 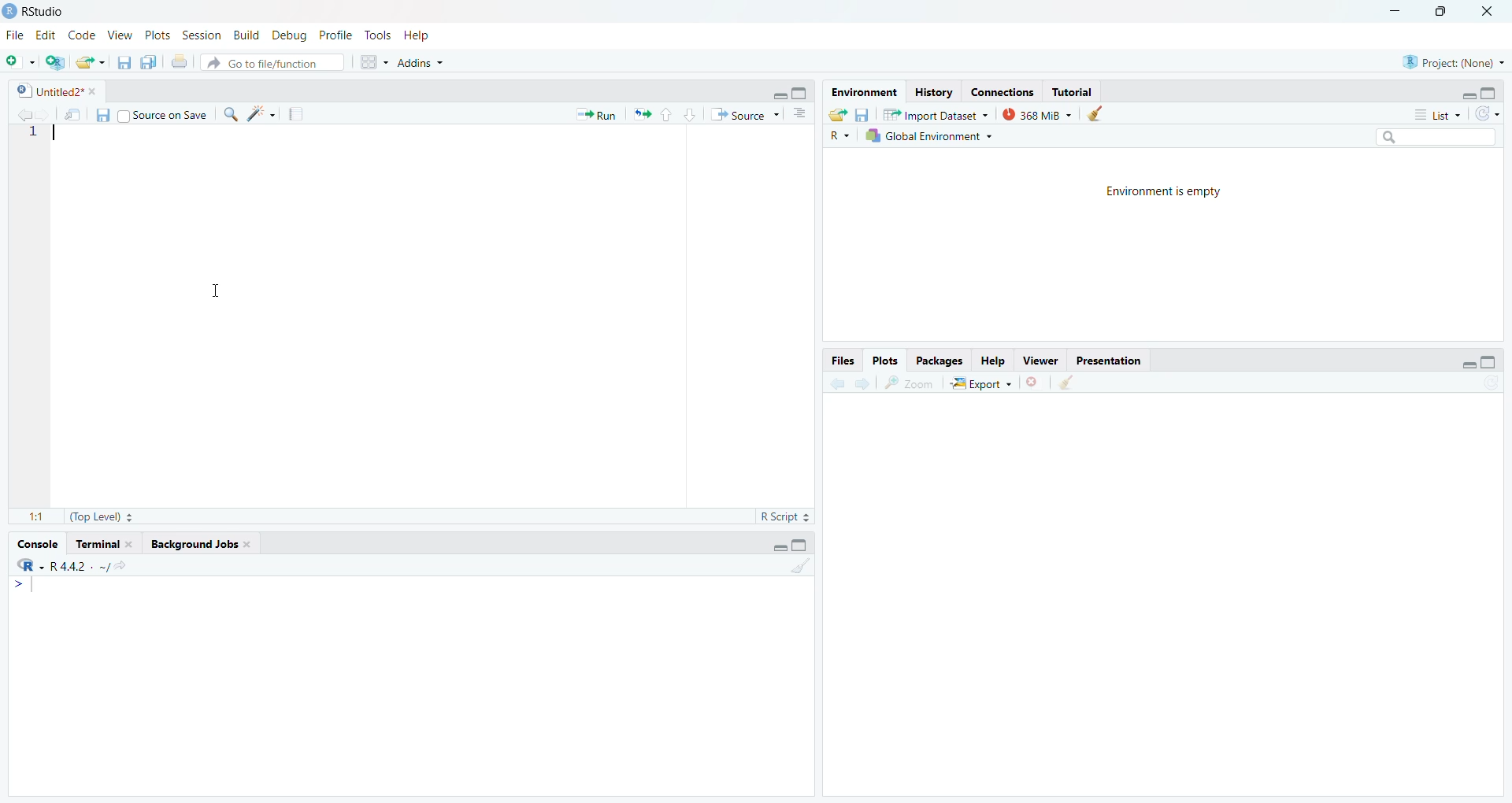 What do you see at coordinates (839, 117) in the screenshot?
I see `export` at bounding box center [839, 117].